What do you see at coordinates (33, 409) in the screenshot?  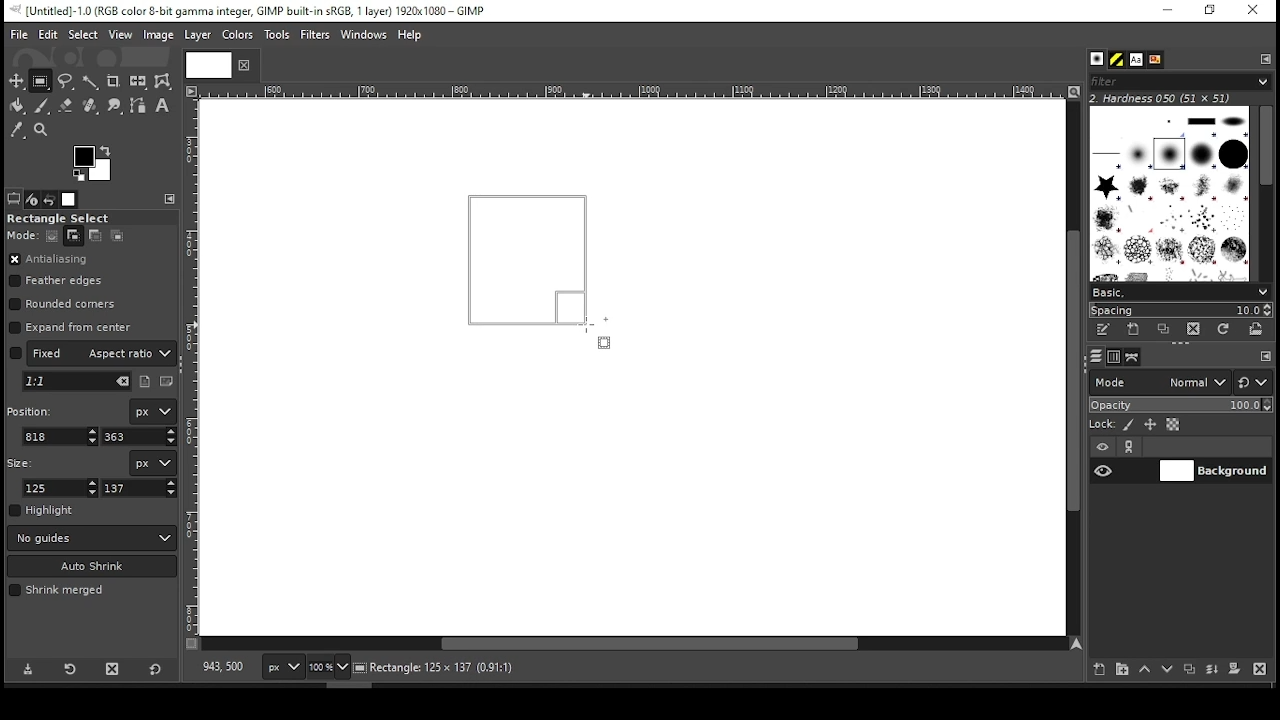 I see `position` at bounding box center [33, 409].